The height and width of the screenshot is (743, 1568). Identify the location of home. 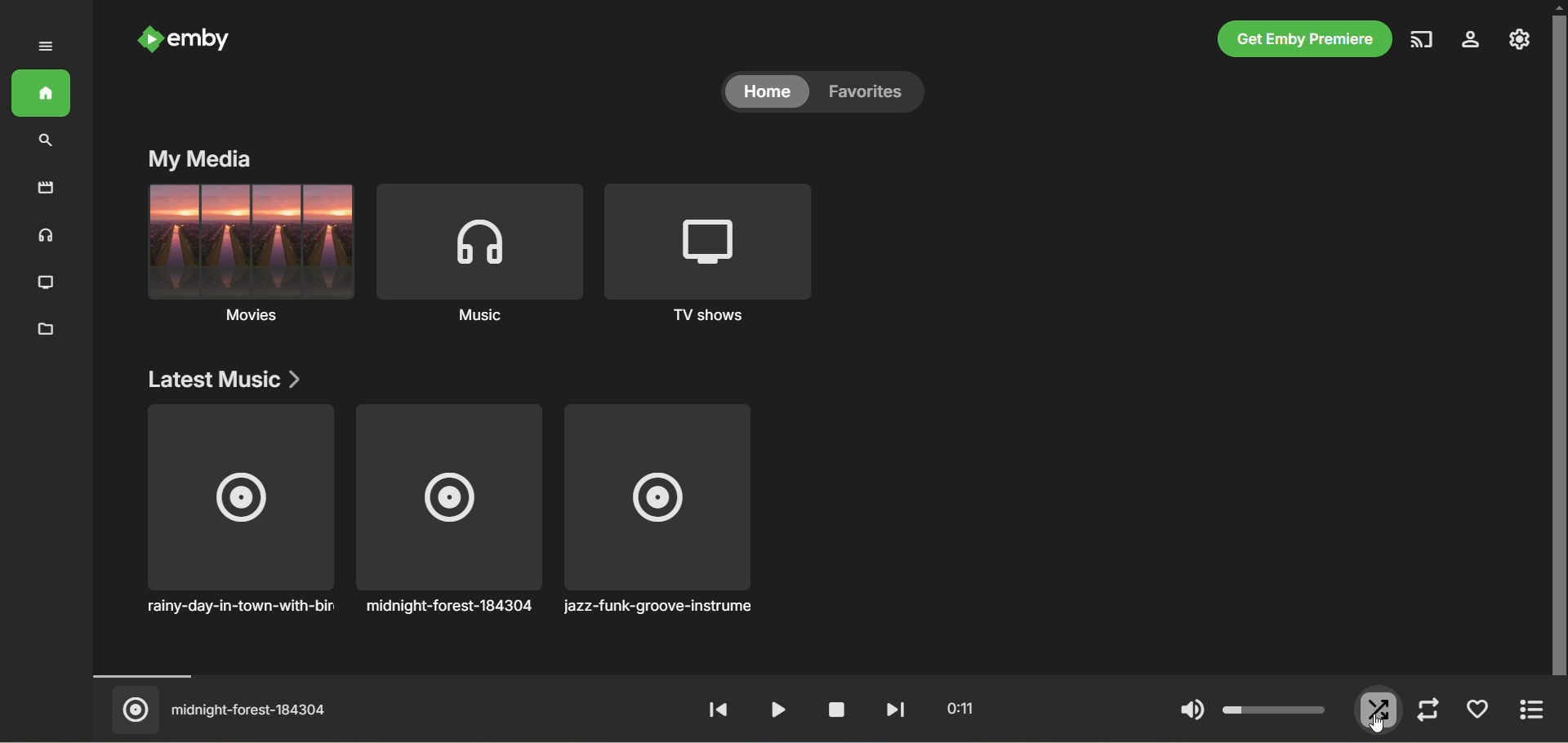
(41, 94).